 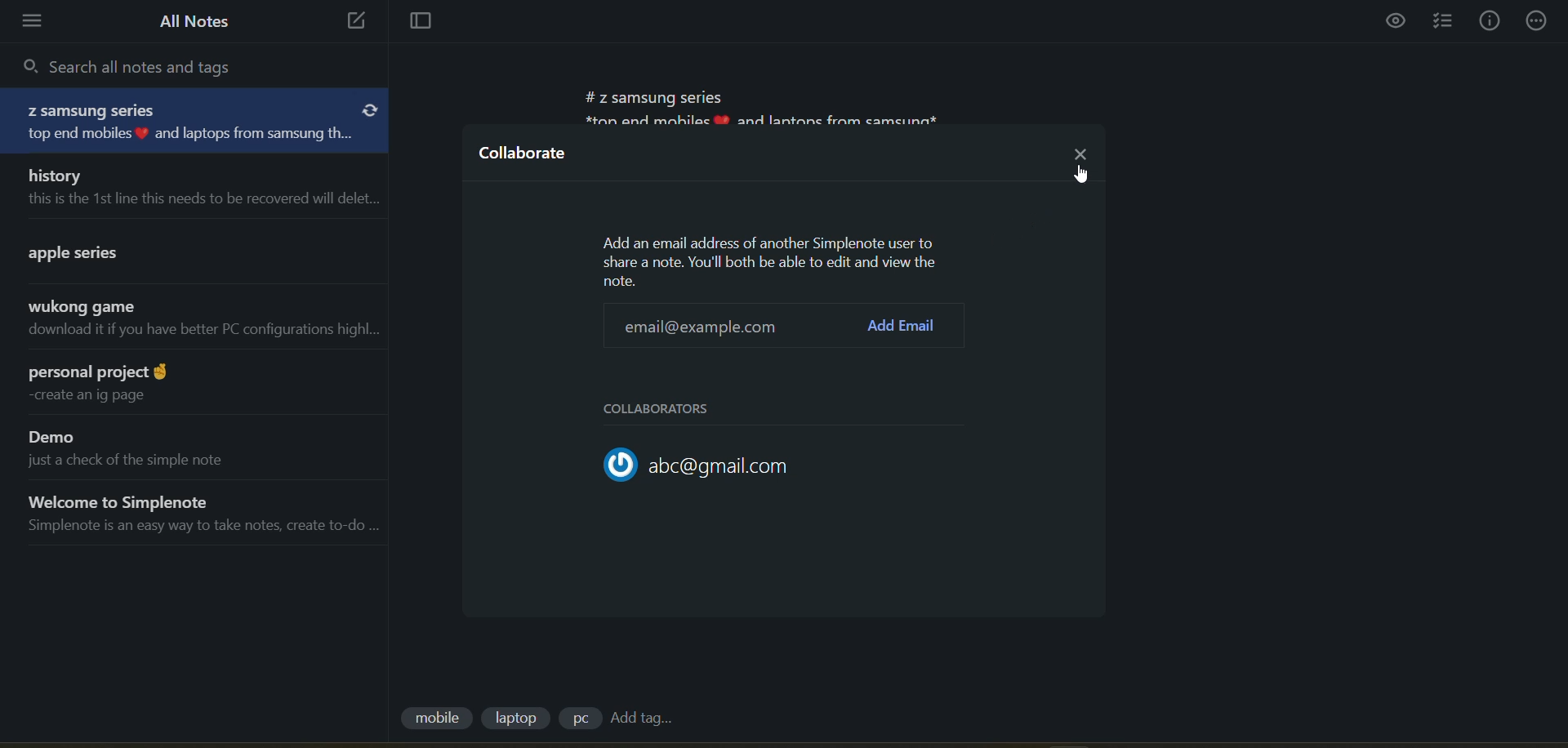 I want to click on add email, so click(x=906, y=327).